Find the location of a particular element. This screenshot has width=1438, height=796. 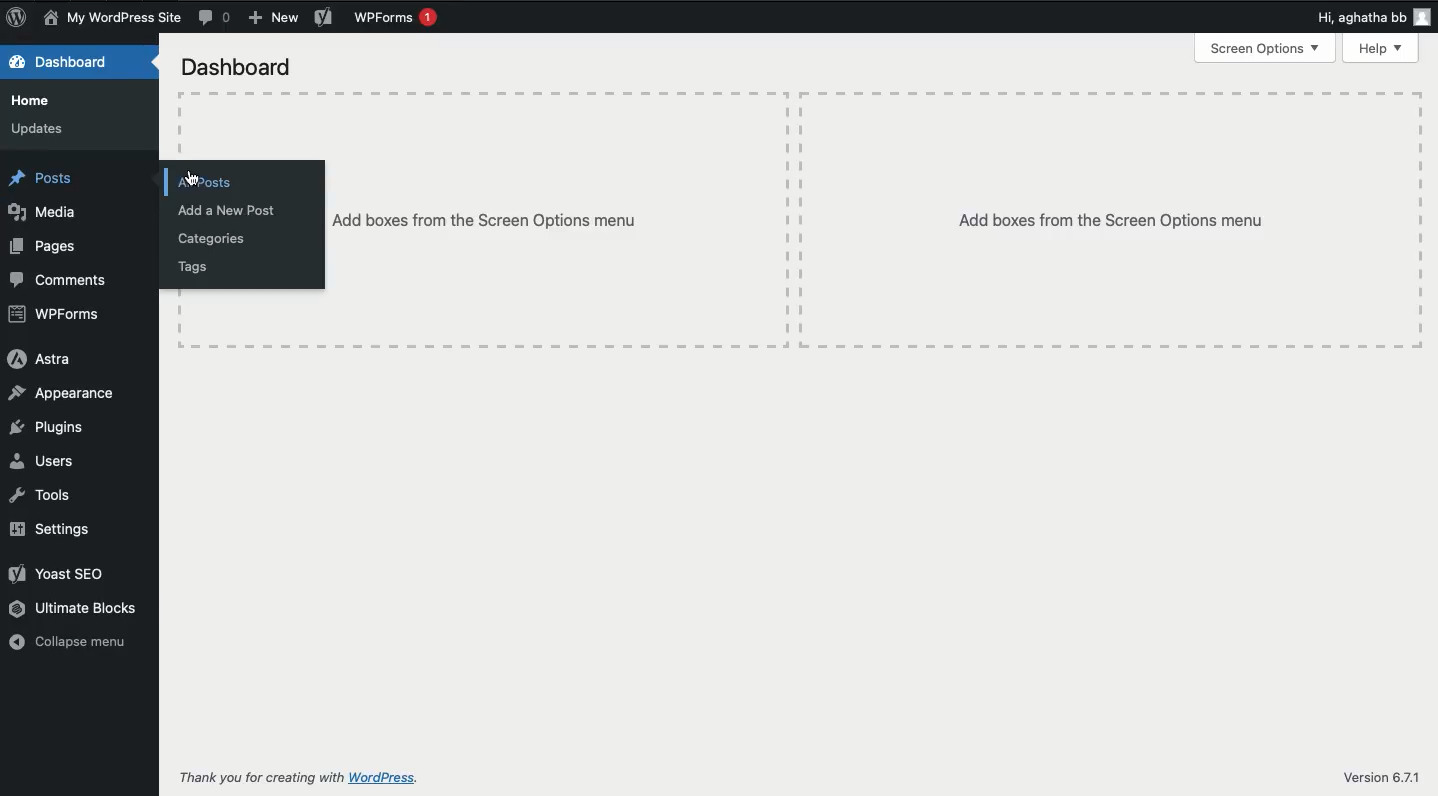

Logo is located at coordinates (18, 19).